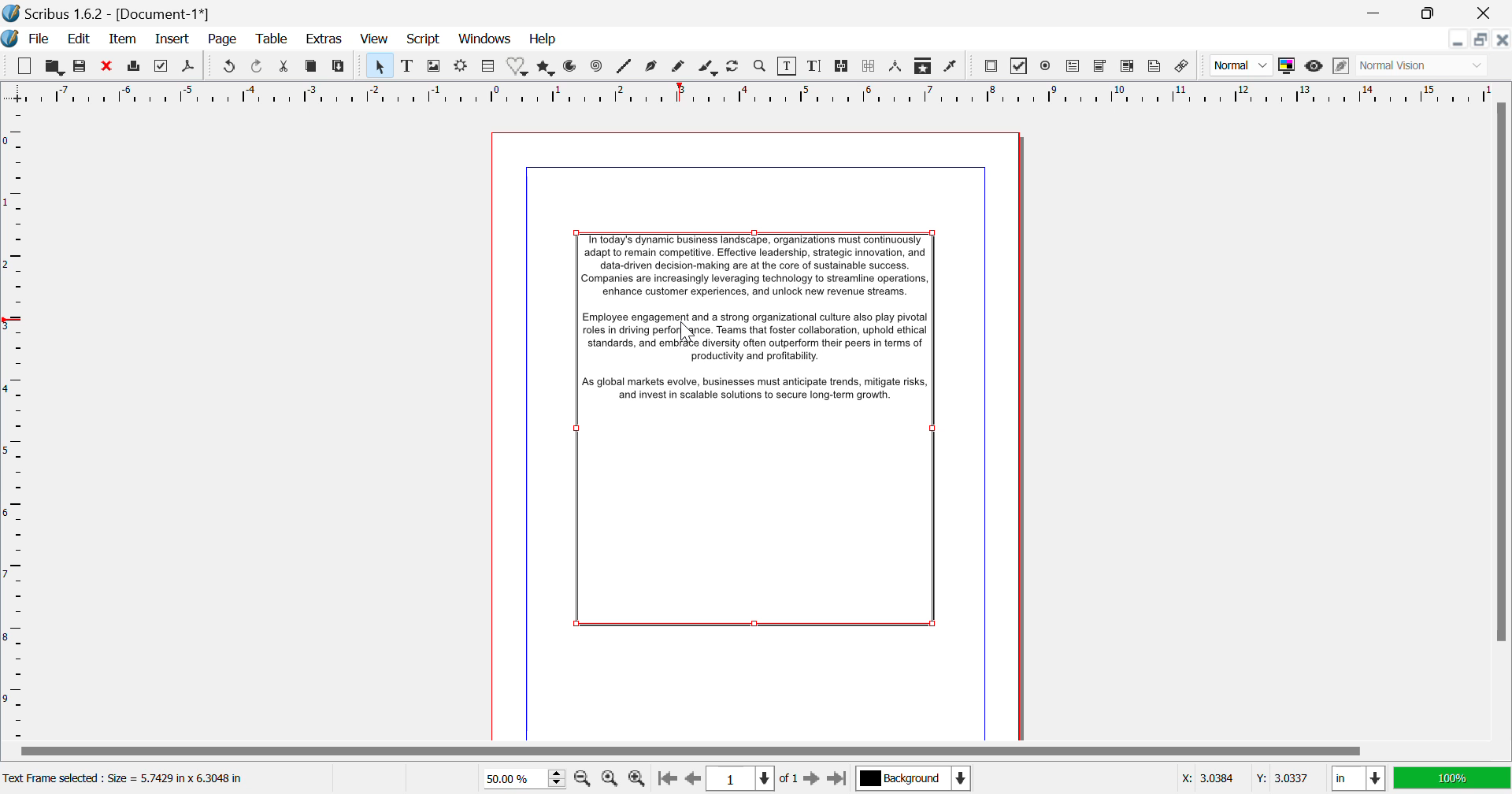 This screenshot has width=1512, height=794. I want to click on Next Page, so click(813, 779).